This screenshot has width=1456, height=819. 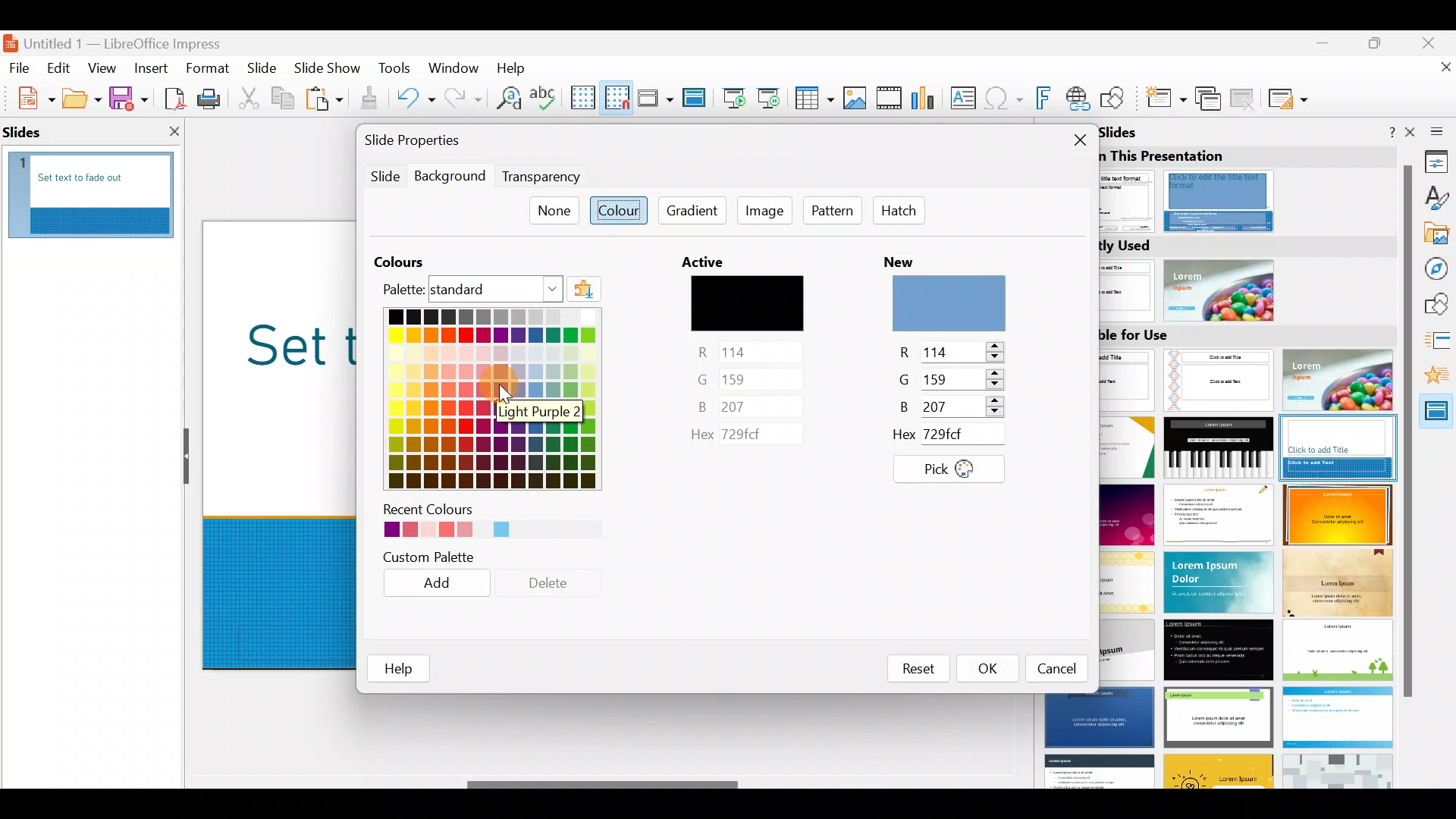 What do you see at coordinates (959, 435) in the screenshot?
I see `New colour code` at bounding box center [959, 435].